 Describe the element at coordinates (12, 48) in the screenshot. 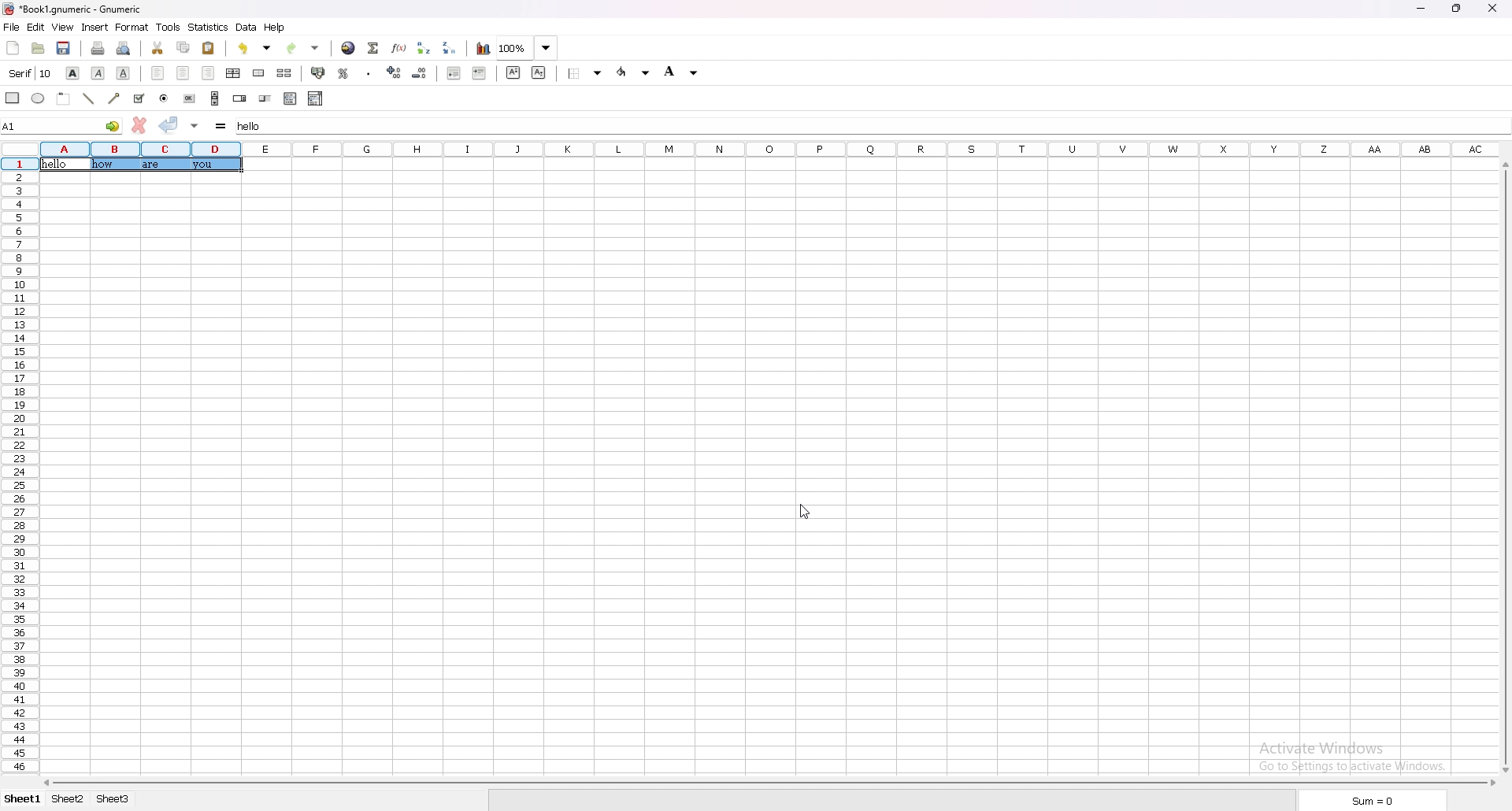

I see `new` at that location.